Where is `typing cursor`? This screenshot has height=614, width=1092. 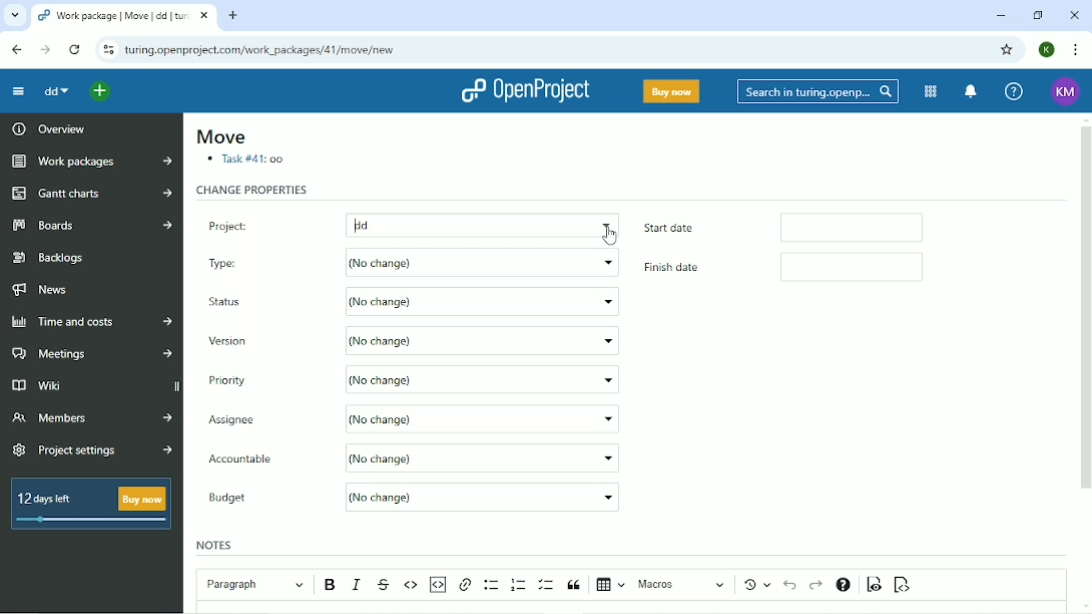
typing cursor is located at coordinates (352, 224).